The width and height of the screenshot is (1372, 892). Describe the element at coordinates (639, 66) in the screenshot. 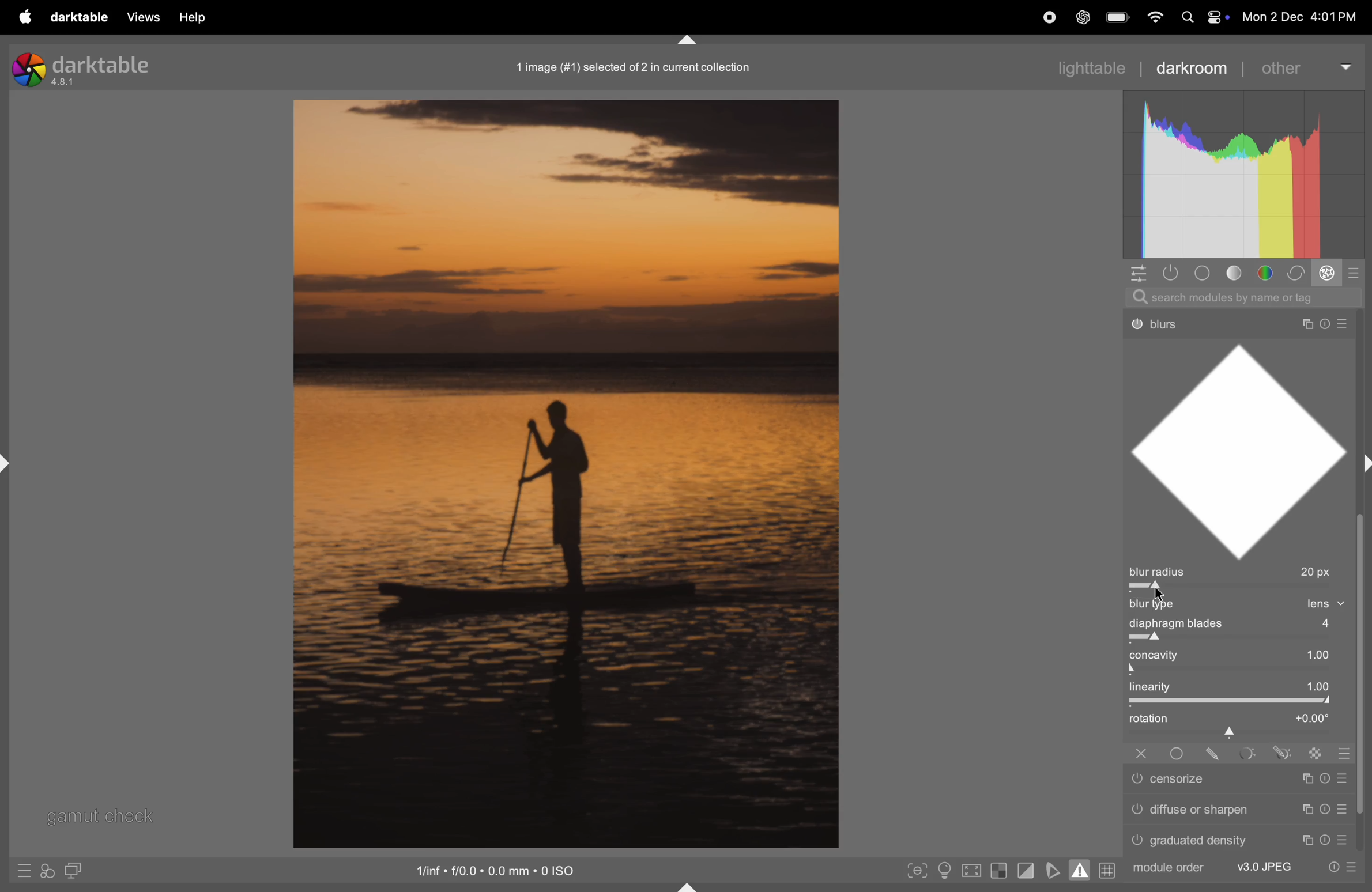

I see `1 image in collections` at that location.